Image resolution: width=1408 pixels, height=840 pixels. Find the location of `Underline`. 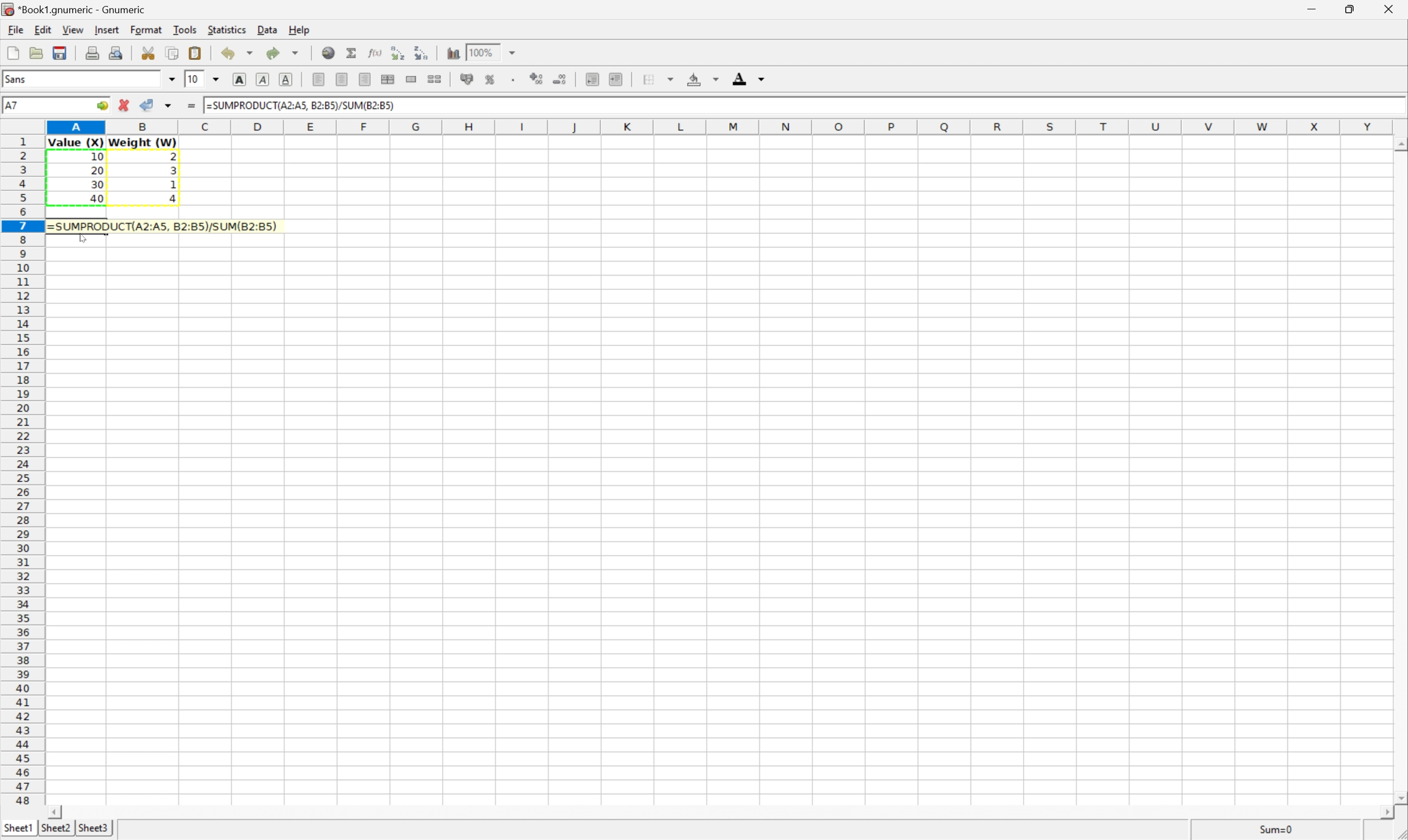

Underline is located at coordinates (288, 80).